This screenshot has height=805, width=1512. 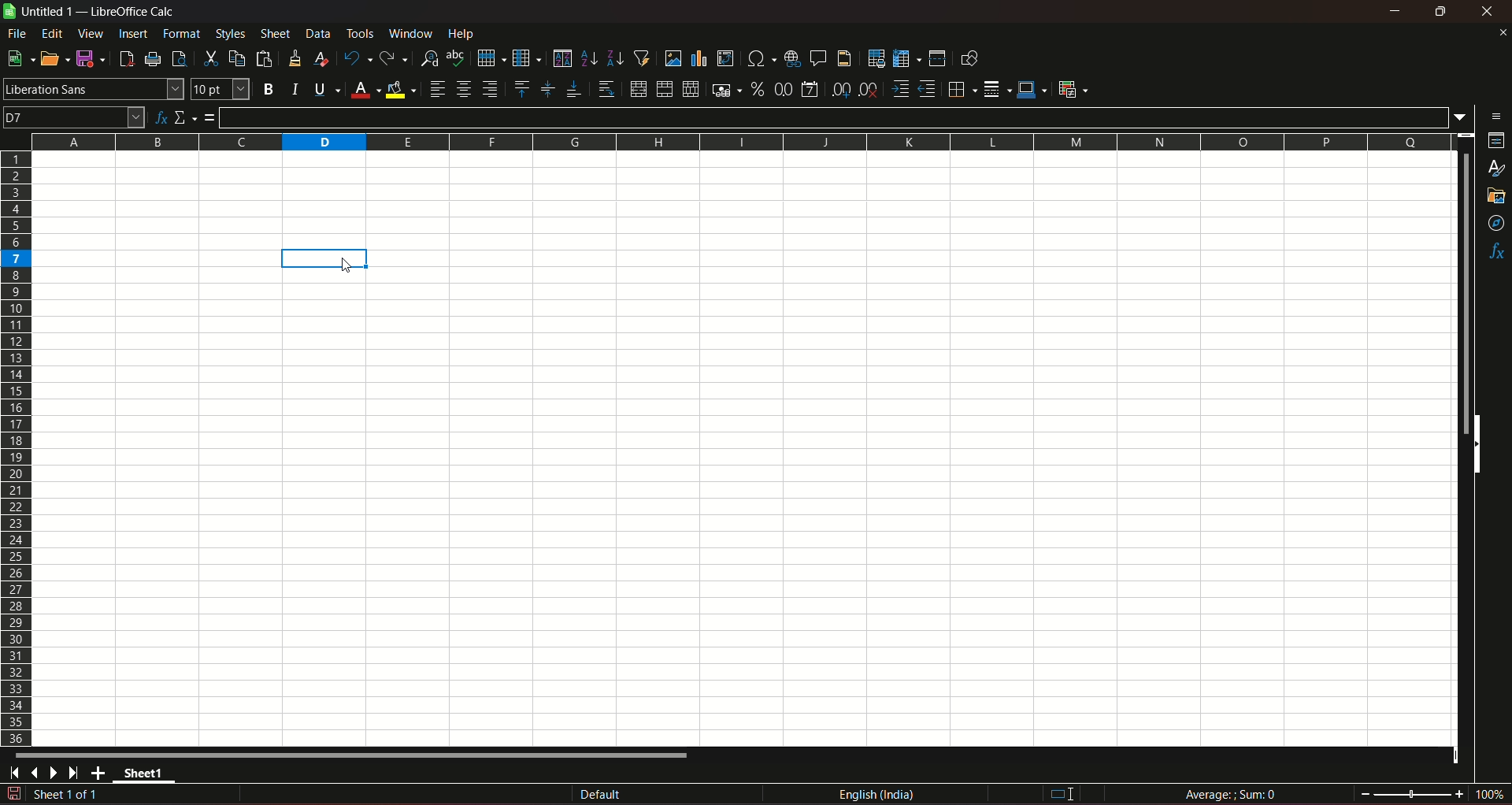 I want to click on paste, so click(x=266, y=58).